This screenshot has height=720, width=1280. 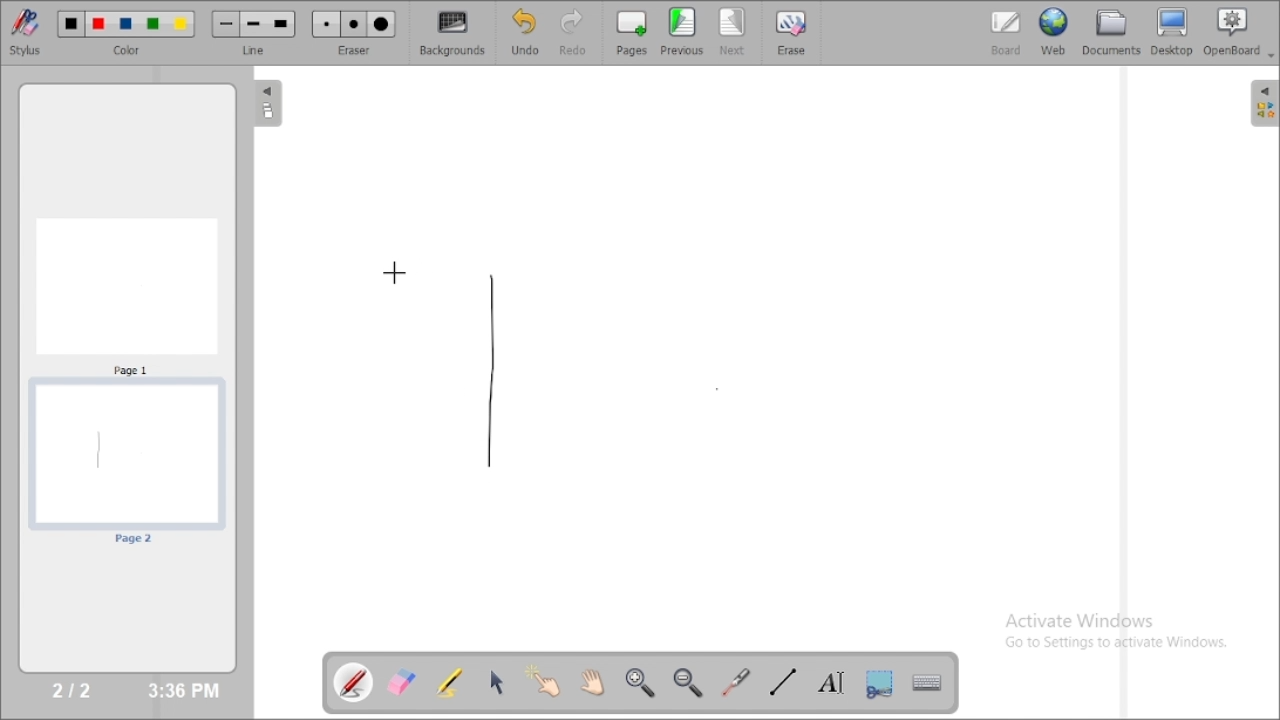 What do you see at coordinates (1054, 31) in the screenshot?
I see `web` at bounding box center [1054, 31].